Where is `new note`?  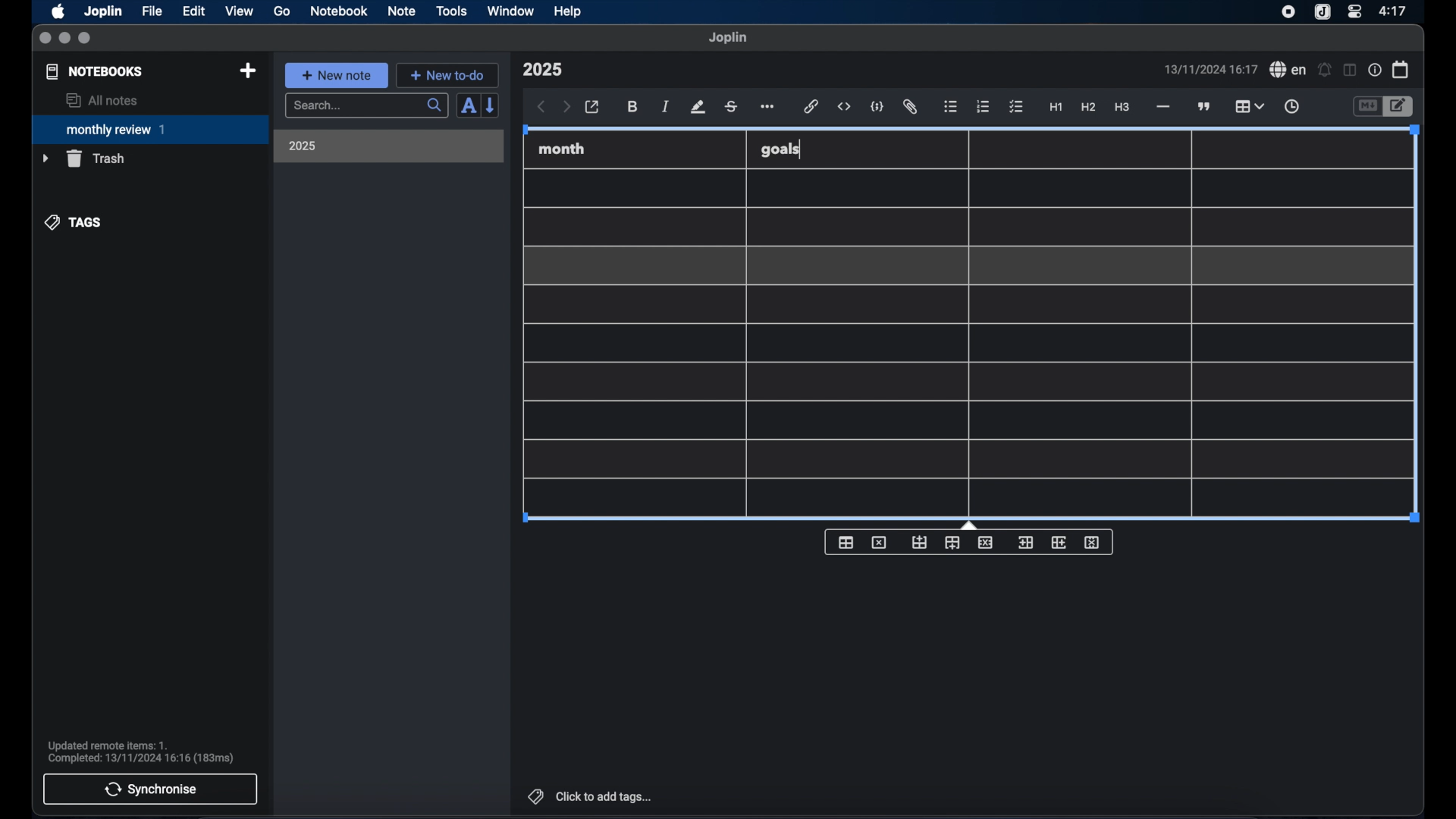
new note is located at coordinates (336, 75).